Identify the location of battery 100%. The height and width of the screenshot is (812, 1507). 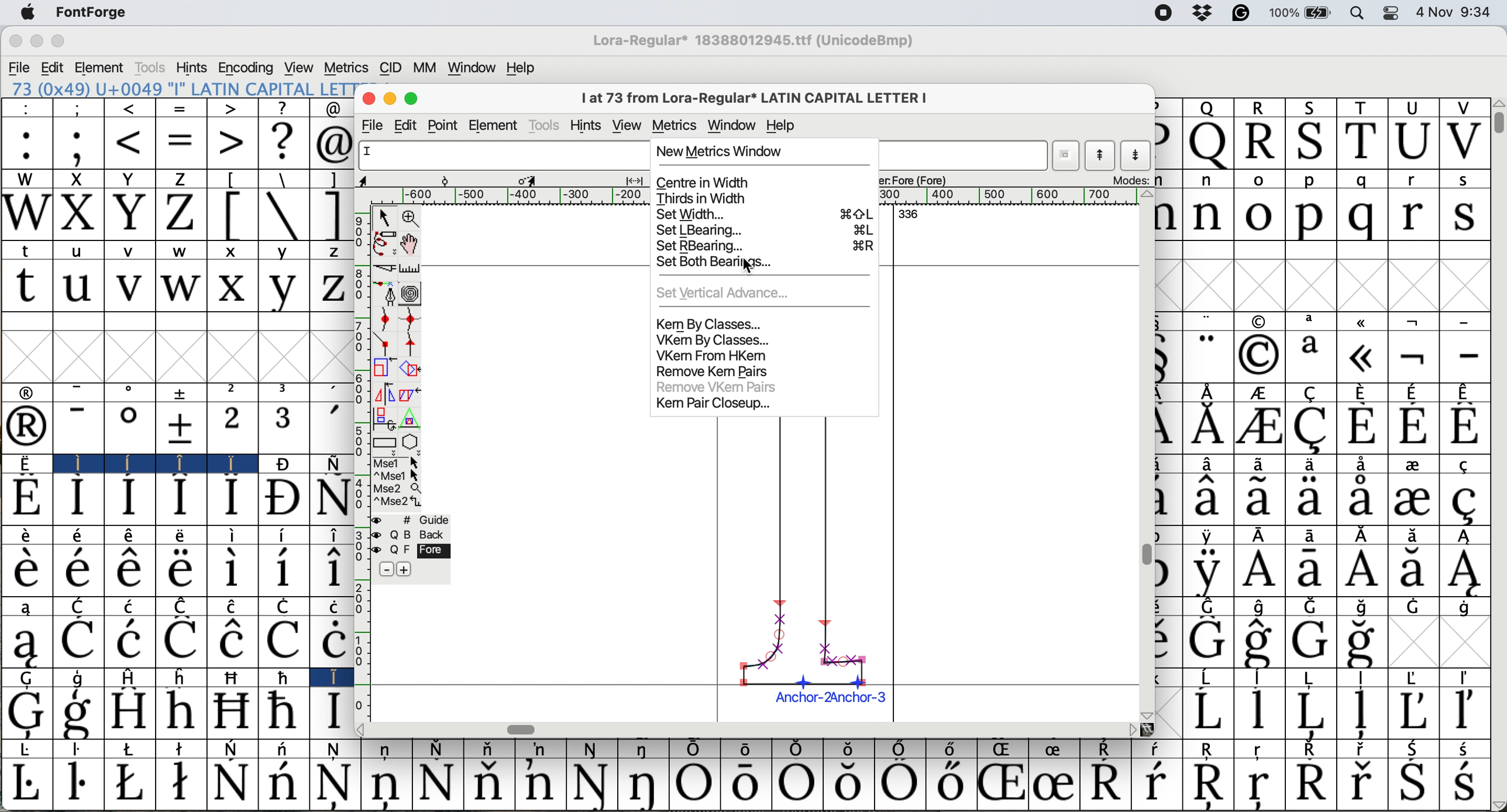
(1303, 12).